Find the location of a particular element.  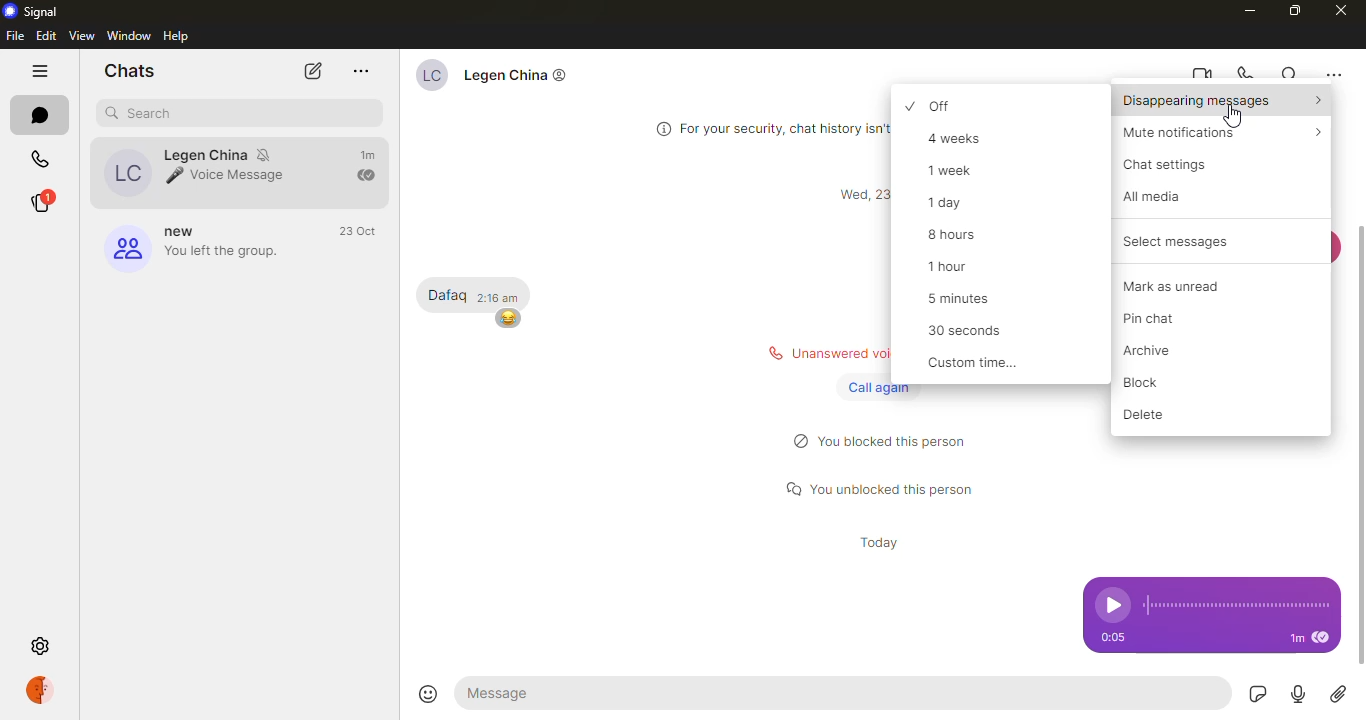

settings is located at coordinates (39, 645).